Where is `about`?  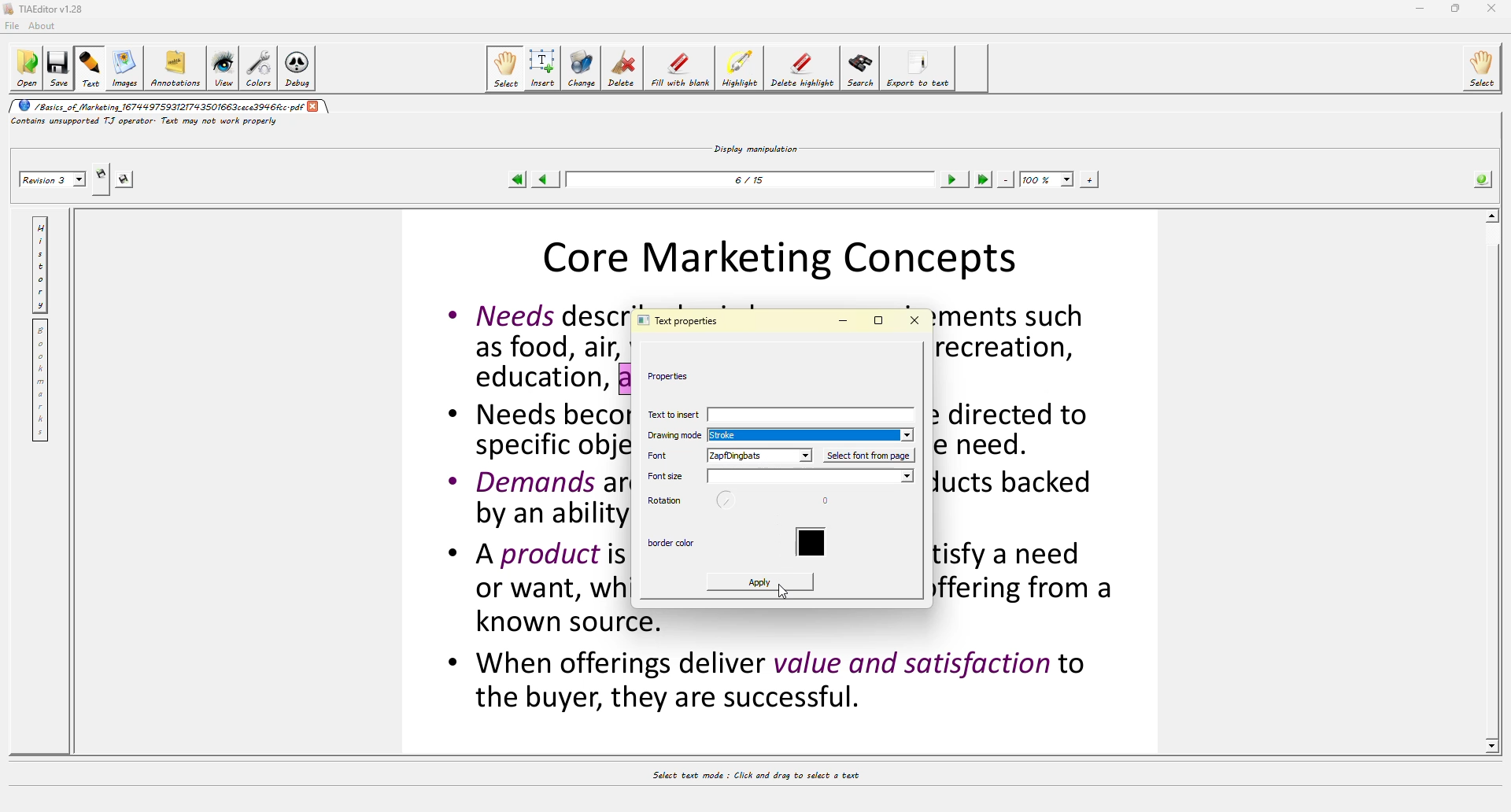 about is located at coordinates (46, 27).